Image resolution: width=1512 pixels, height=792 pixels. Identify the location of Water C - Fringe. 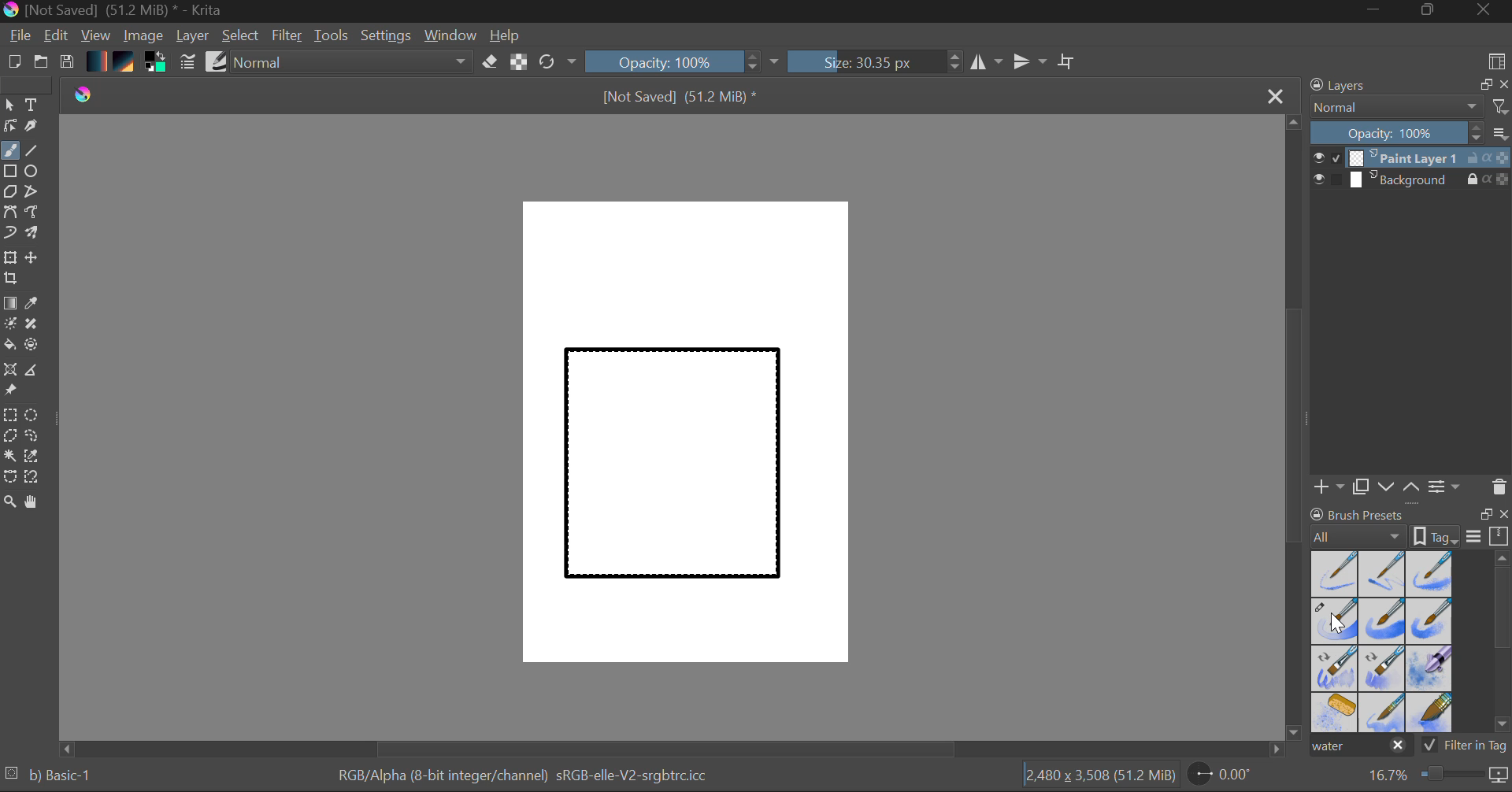
(1334, 620).